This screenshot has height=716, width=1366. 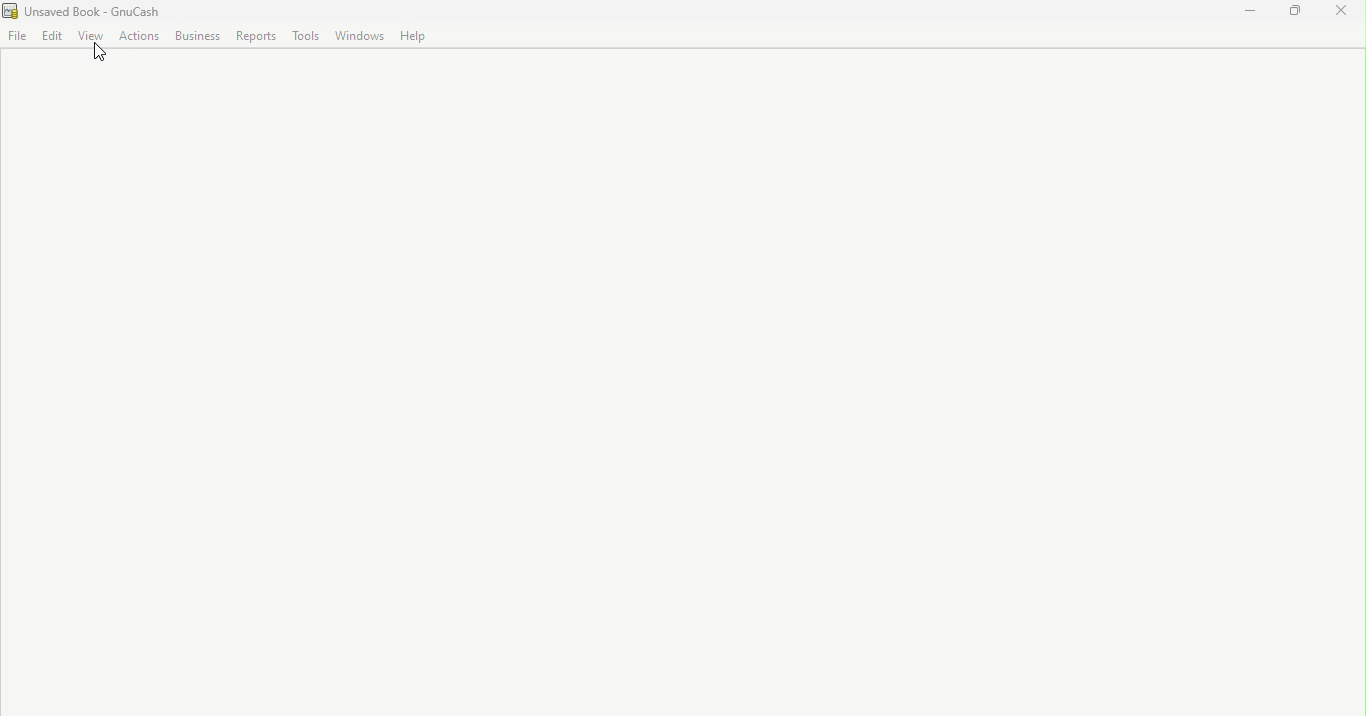 I want to click on File name, so click(x=83, y=11).